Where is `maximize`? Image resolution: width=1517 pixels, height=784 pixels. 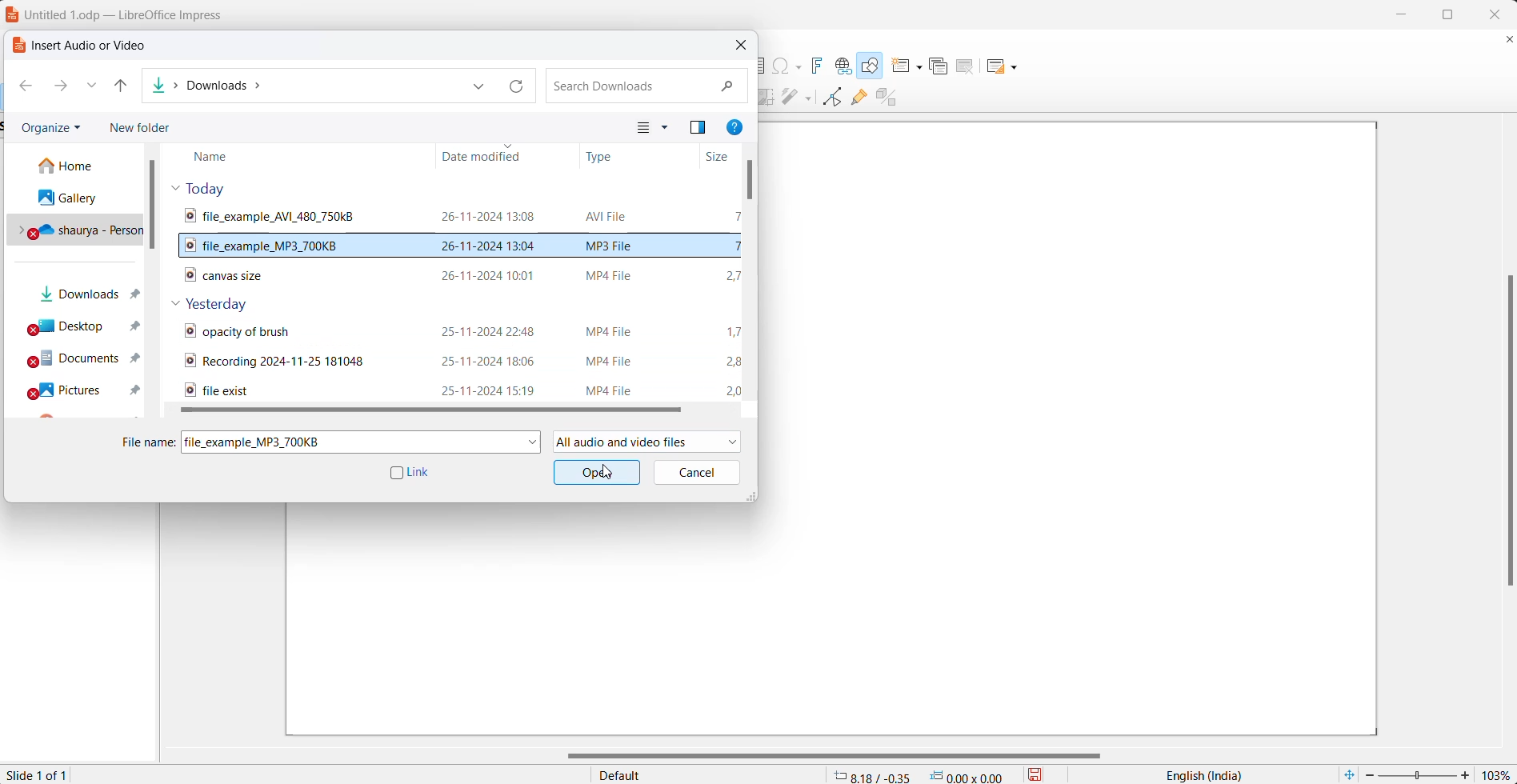 maximize is located at coordinates (1453, 16).